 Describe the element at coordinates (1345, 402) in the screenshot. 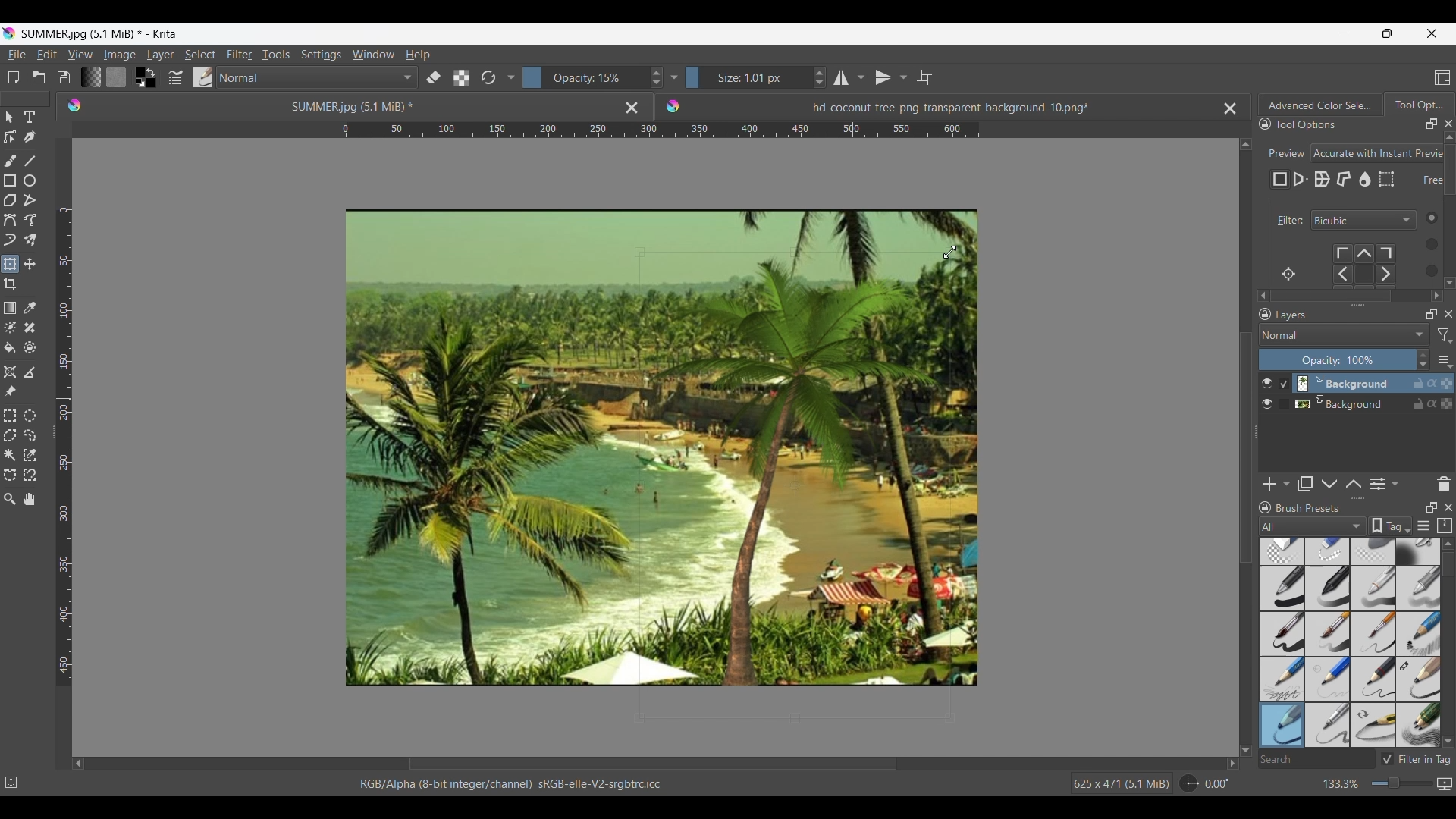

I see `Background` at that location.